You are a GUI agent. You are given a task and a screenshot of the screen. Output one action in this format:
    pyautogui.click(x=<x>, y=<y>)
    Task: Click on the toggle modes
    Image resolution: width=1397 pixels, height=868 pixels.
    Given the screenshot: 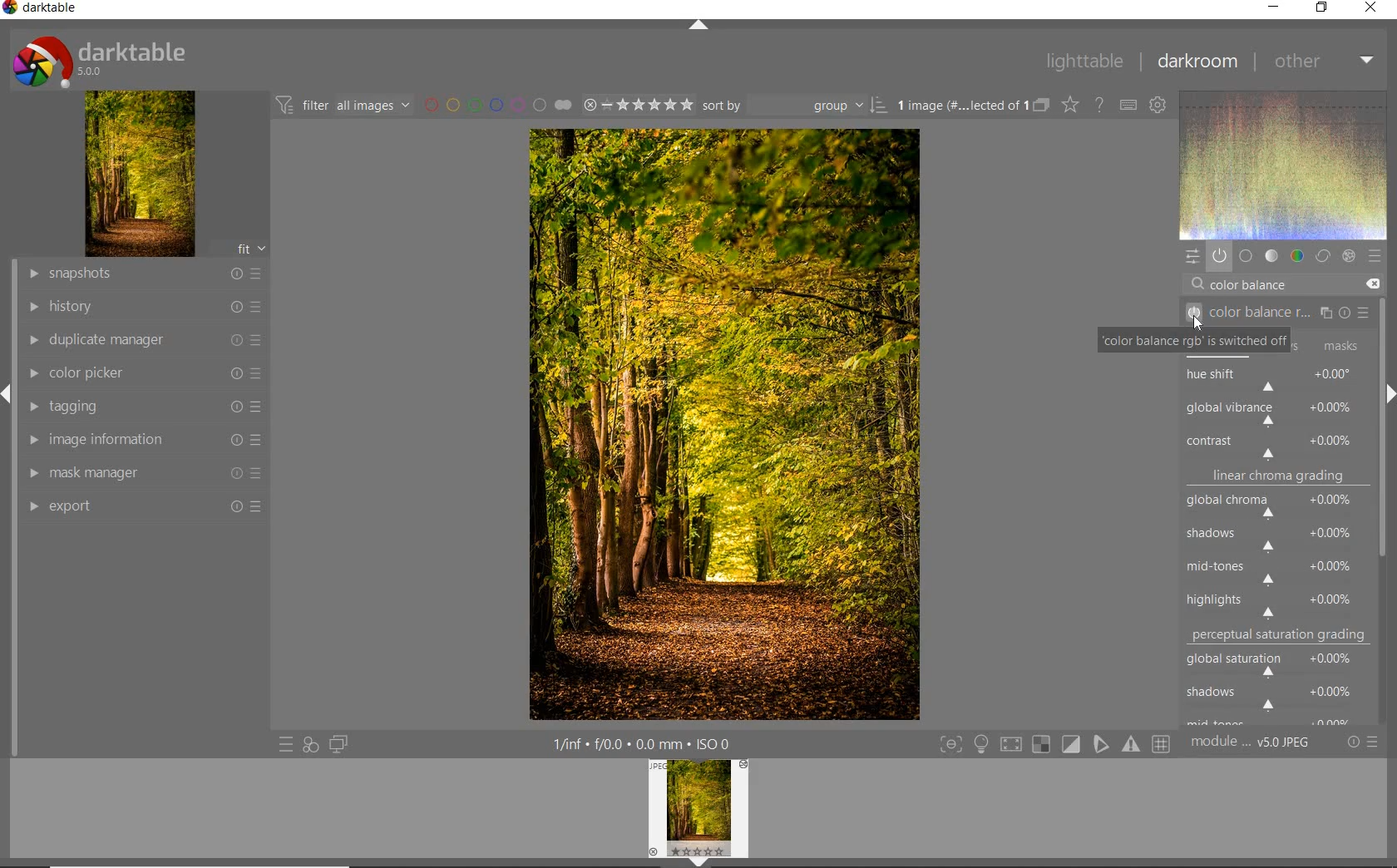 What is the action you would take?
    pyautogui.click(x=1051, y=744)
    